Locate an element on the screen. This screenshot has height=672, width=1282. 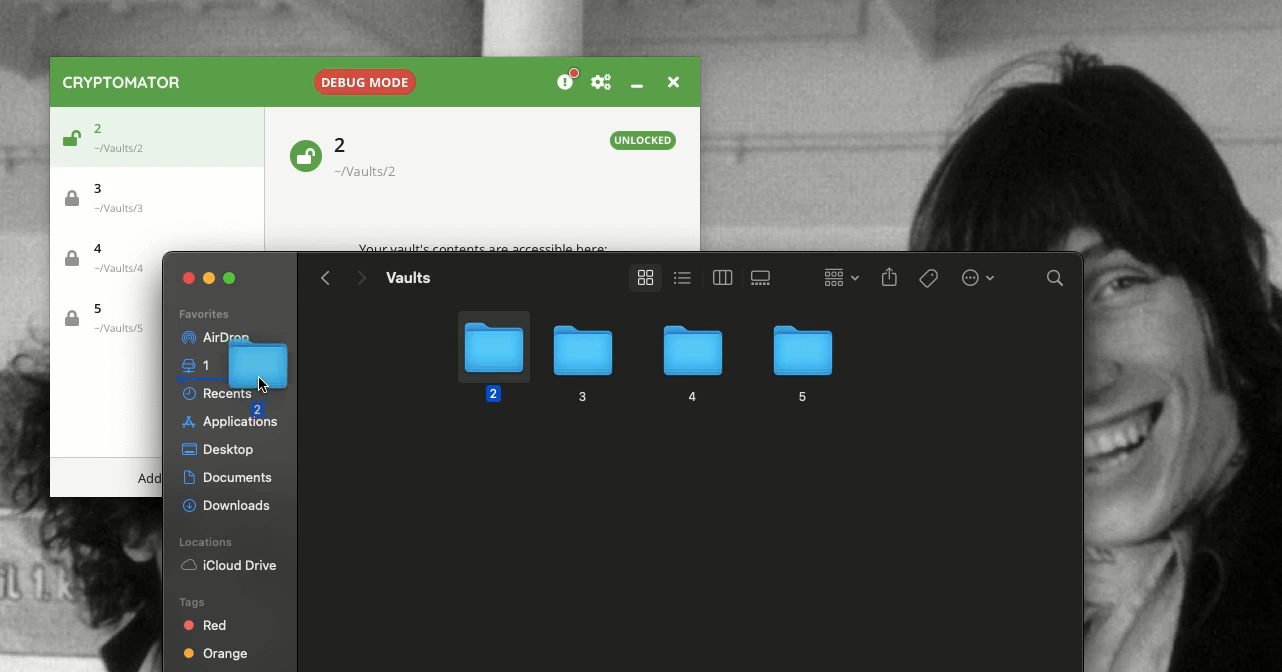
5 is located at coordinates (801, 361).